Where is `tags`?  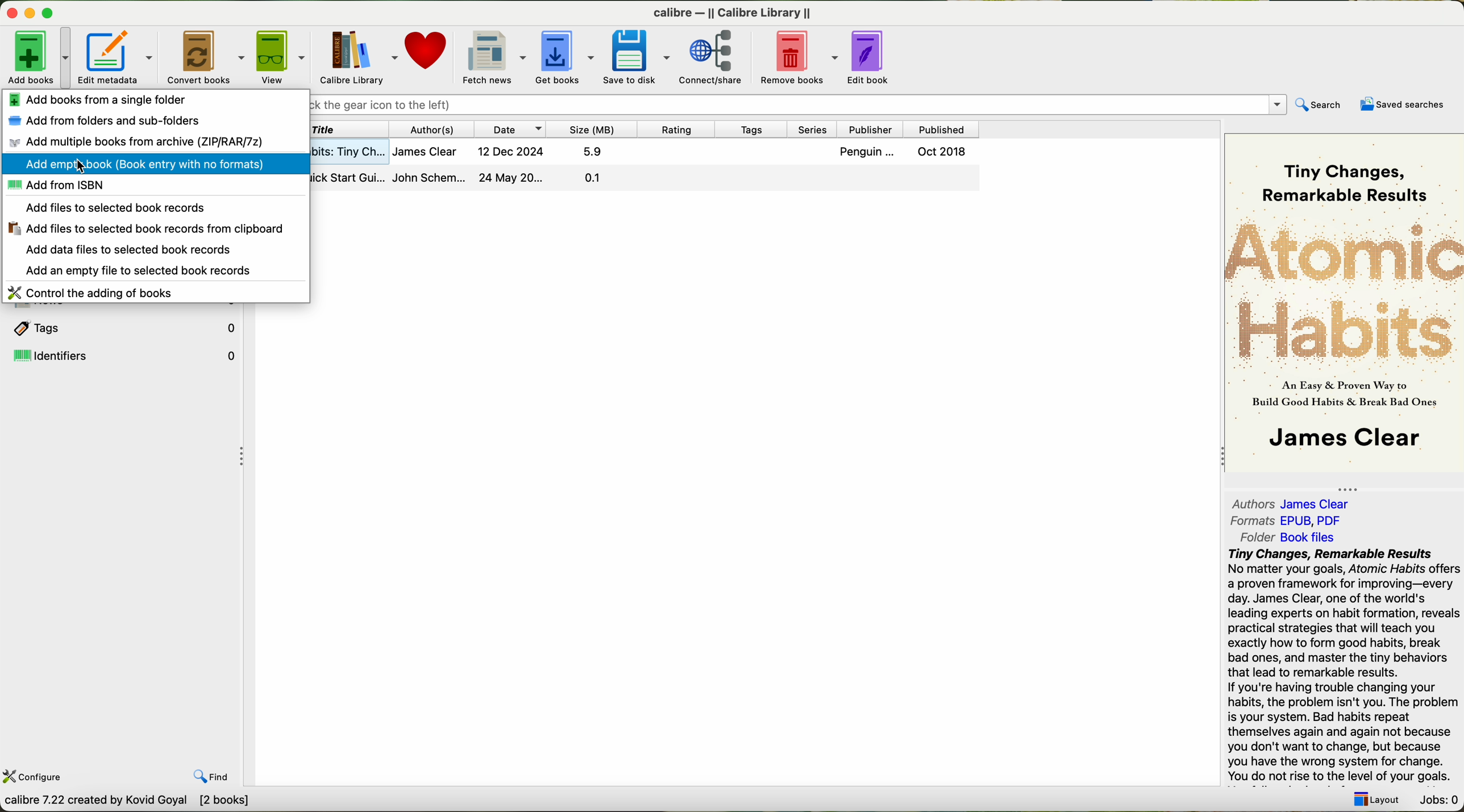
tags is located at coordinates (747, 129).